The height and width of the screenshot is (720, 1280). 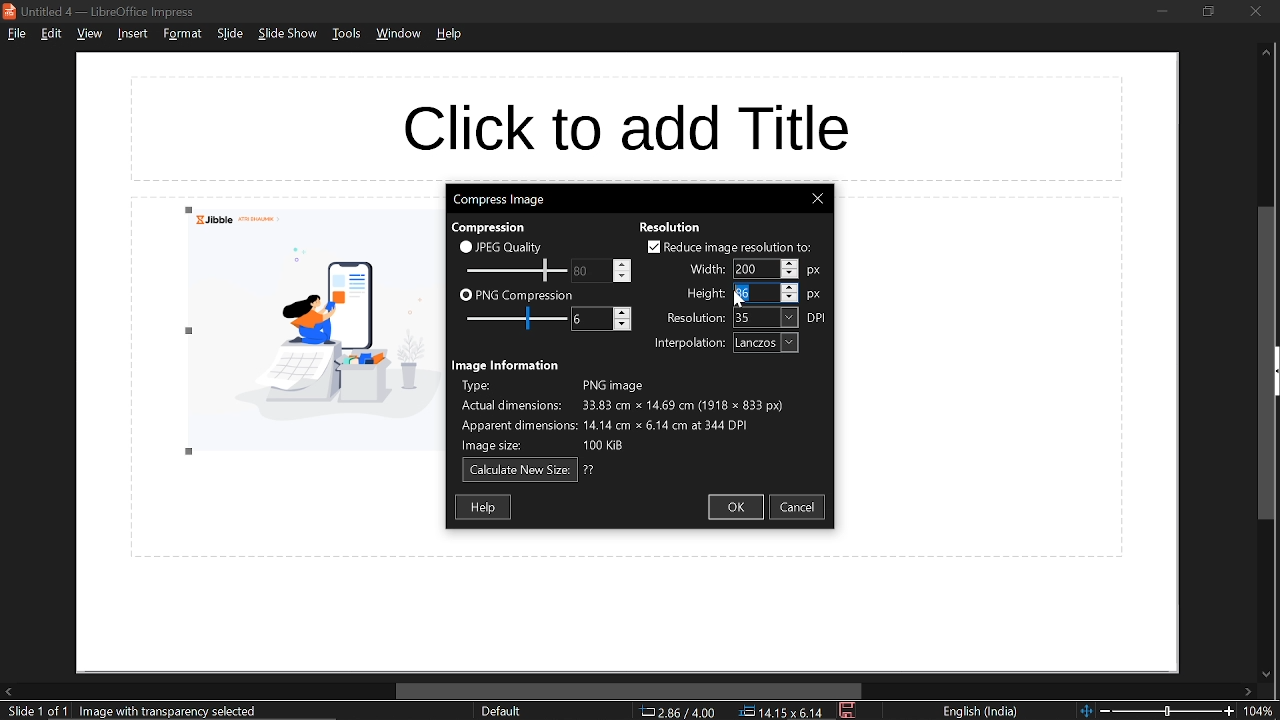 What do you see at coordinates (516, 271) in the screenshot?
I see `Change JPEG quality ` at bounding box center [516, 271].